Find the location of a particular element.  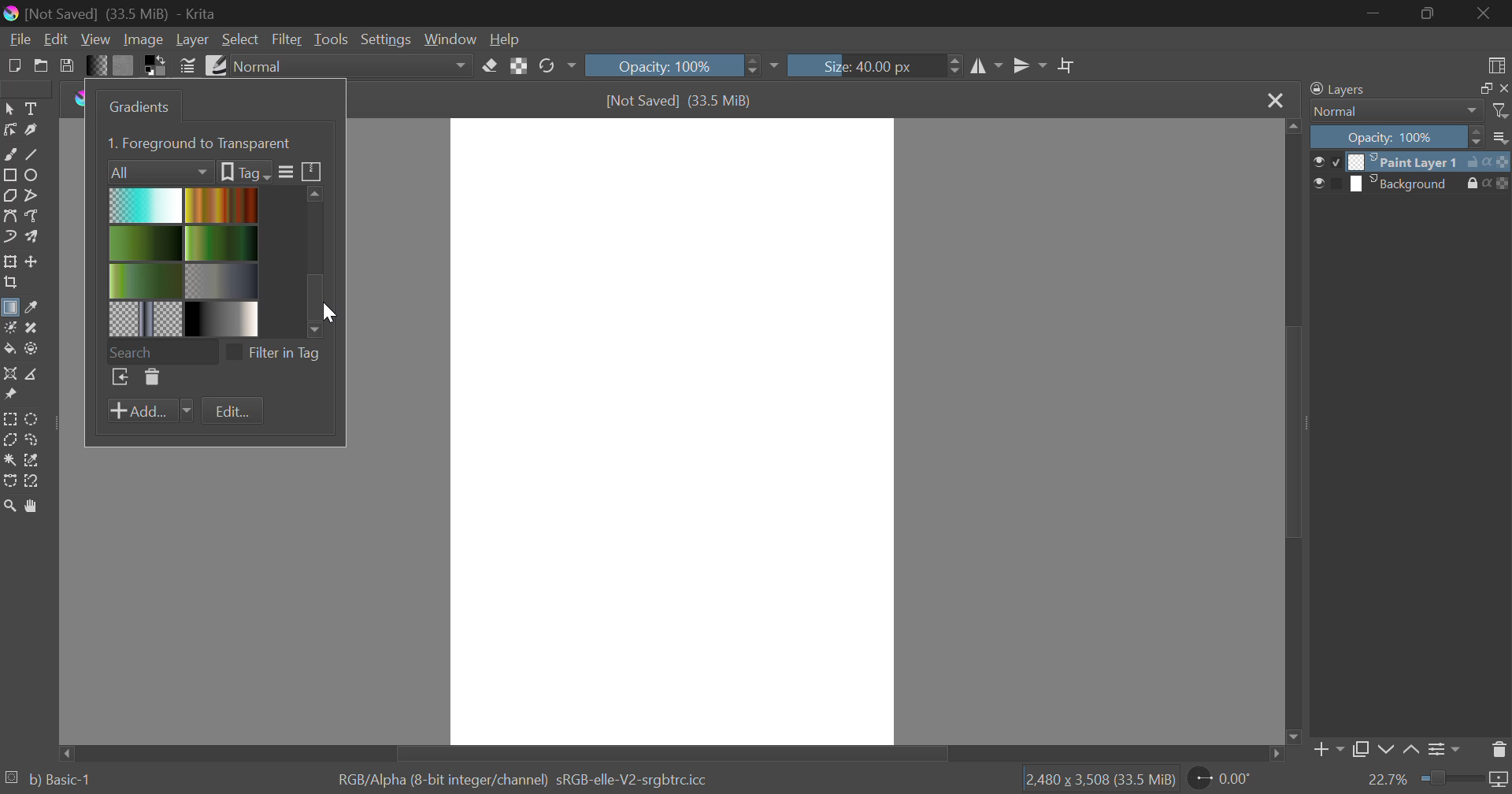

Close is located at coordinates (1488, 13).